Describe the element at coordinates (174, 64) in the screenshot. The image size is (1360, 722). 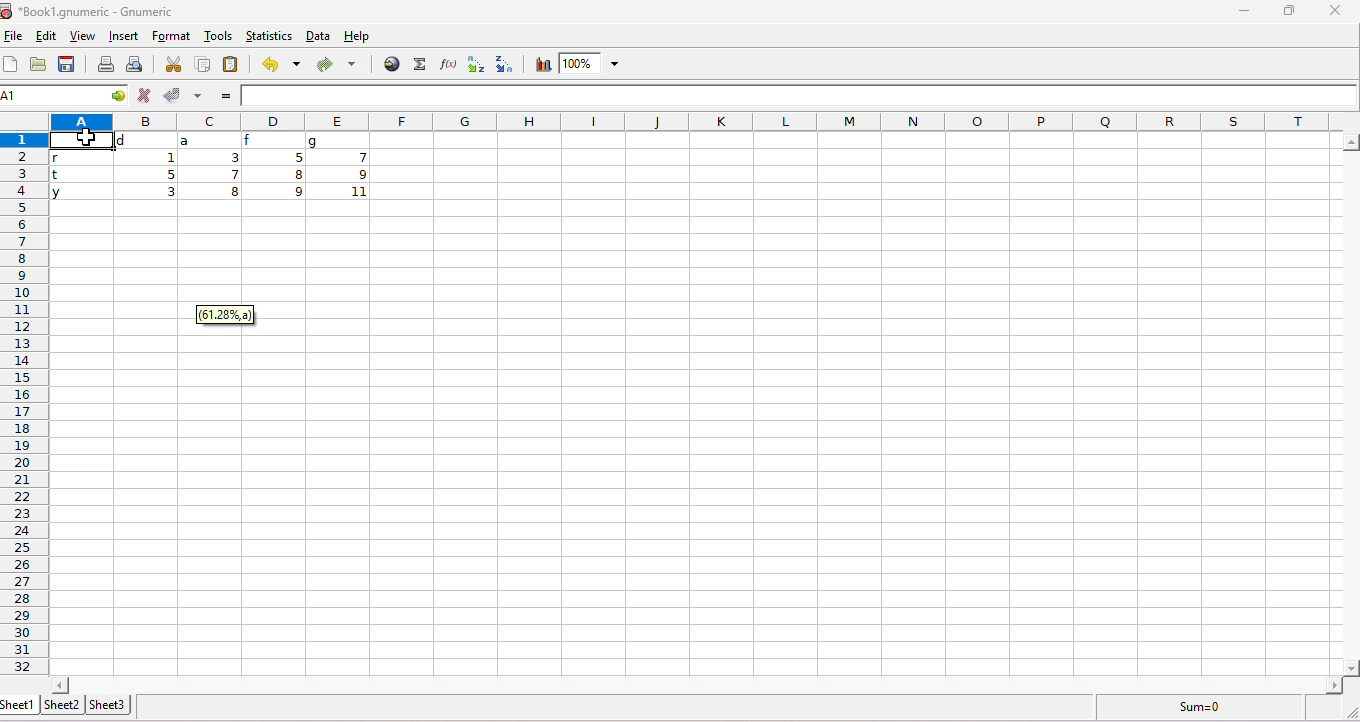
I see `cut` at that location.